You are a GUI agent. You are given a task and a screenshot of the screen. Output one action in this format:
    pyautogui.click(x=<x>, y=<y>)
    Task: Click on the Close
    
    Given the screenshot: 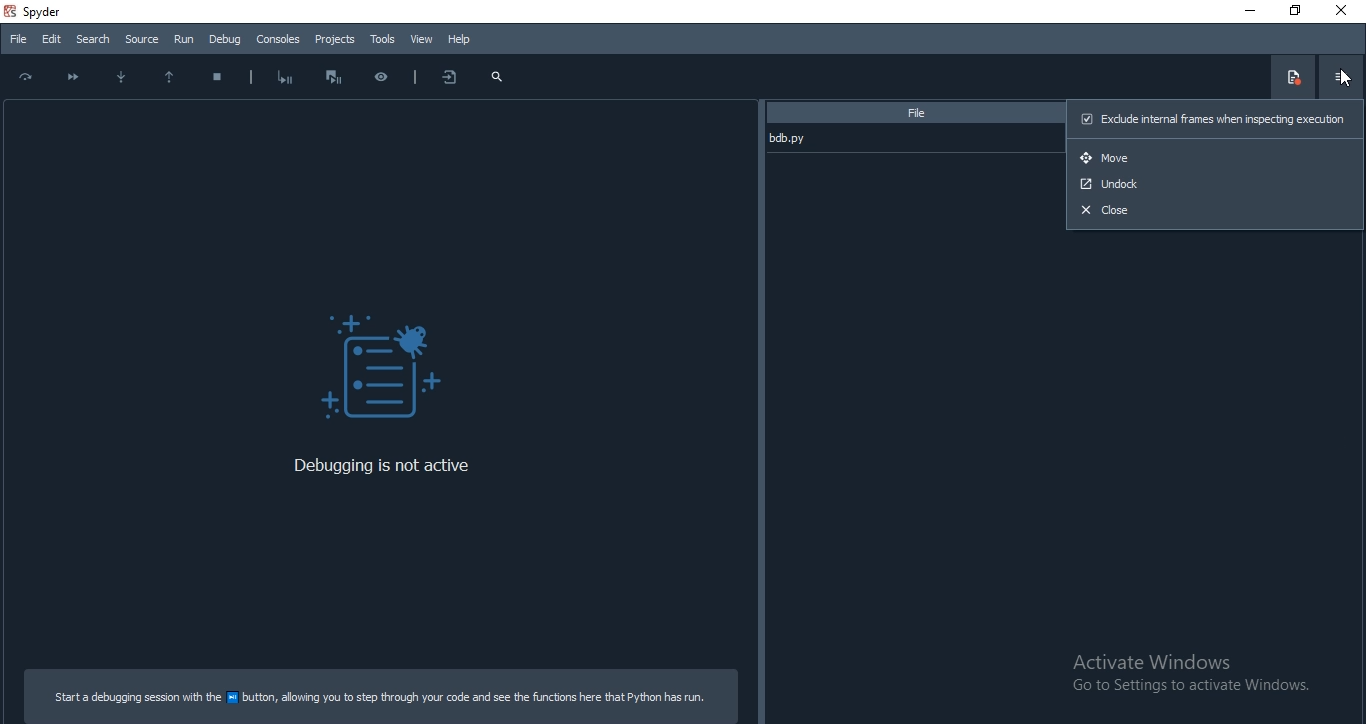 What is the action you would take?
    pyautogui.click(x=1215, y=210)
    